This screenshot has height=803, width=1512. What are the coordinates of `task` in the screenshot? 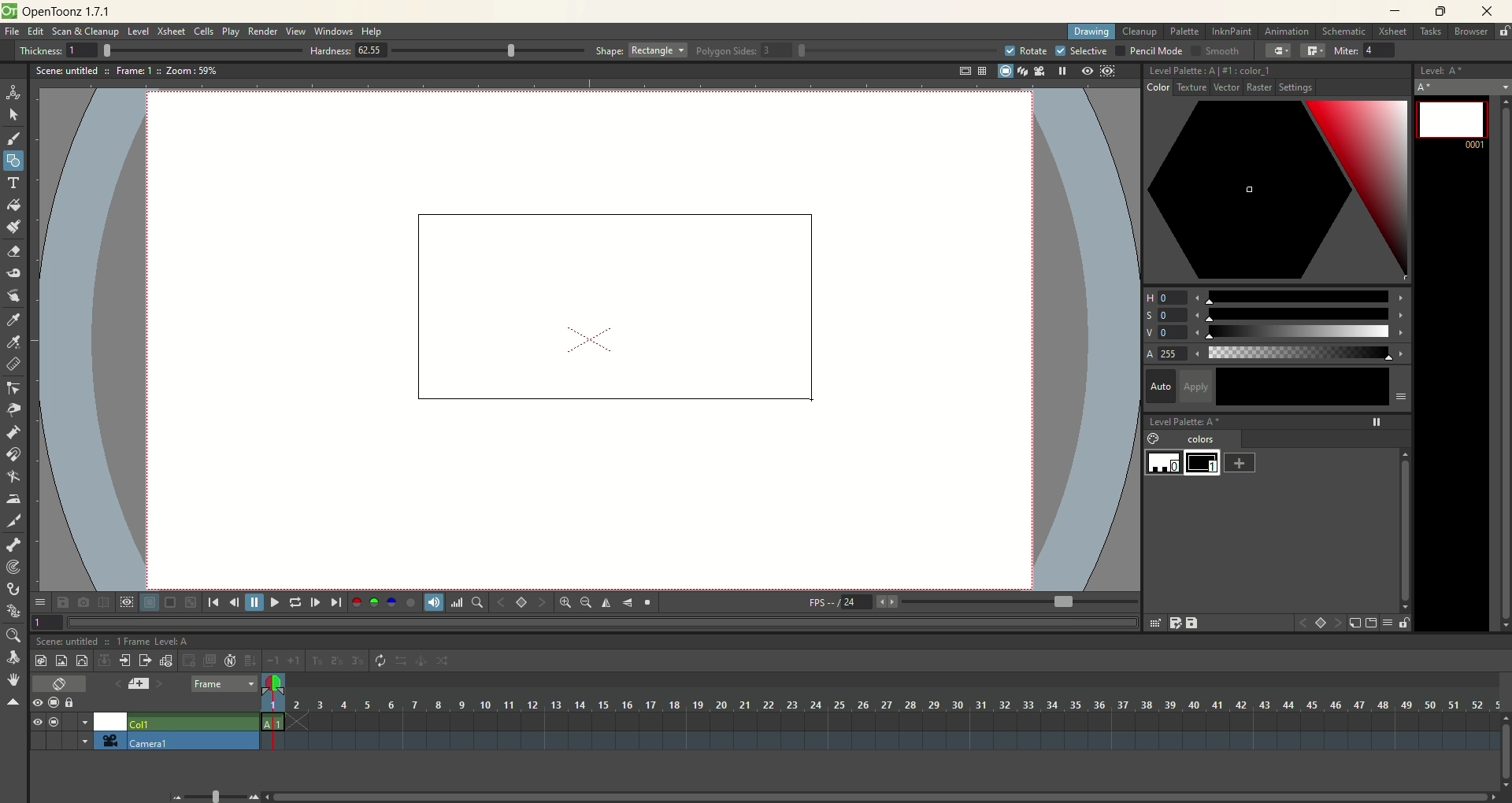 It's located at (1429, 35).